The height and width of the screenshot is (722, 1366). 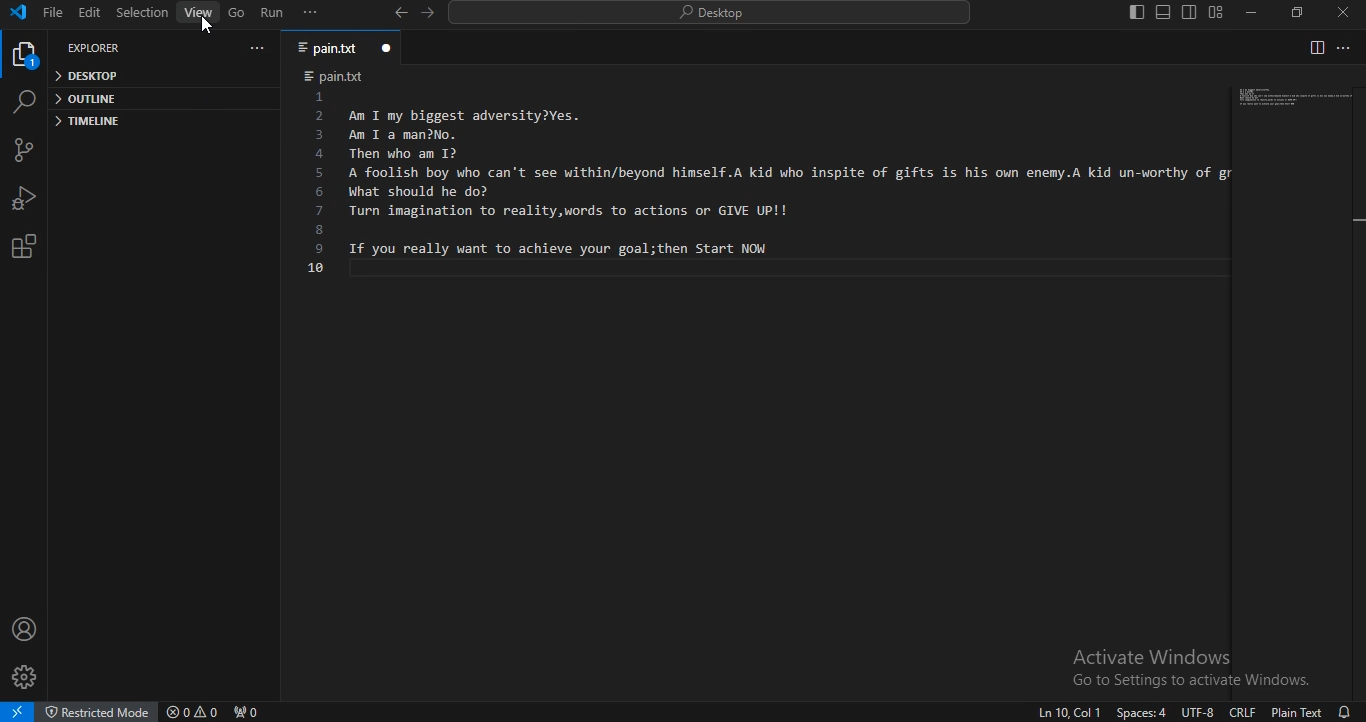 What do you see at coordinates (87, 123) in the screenshot?
I see `timeline` at bounding box center [87, 123].